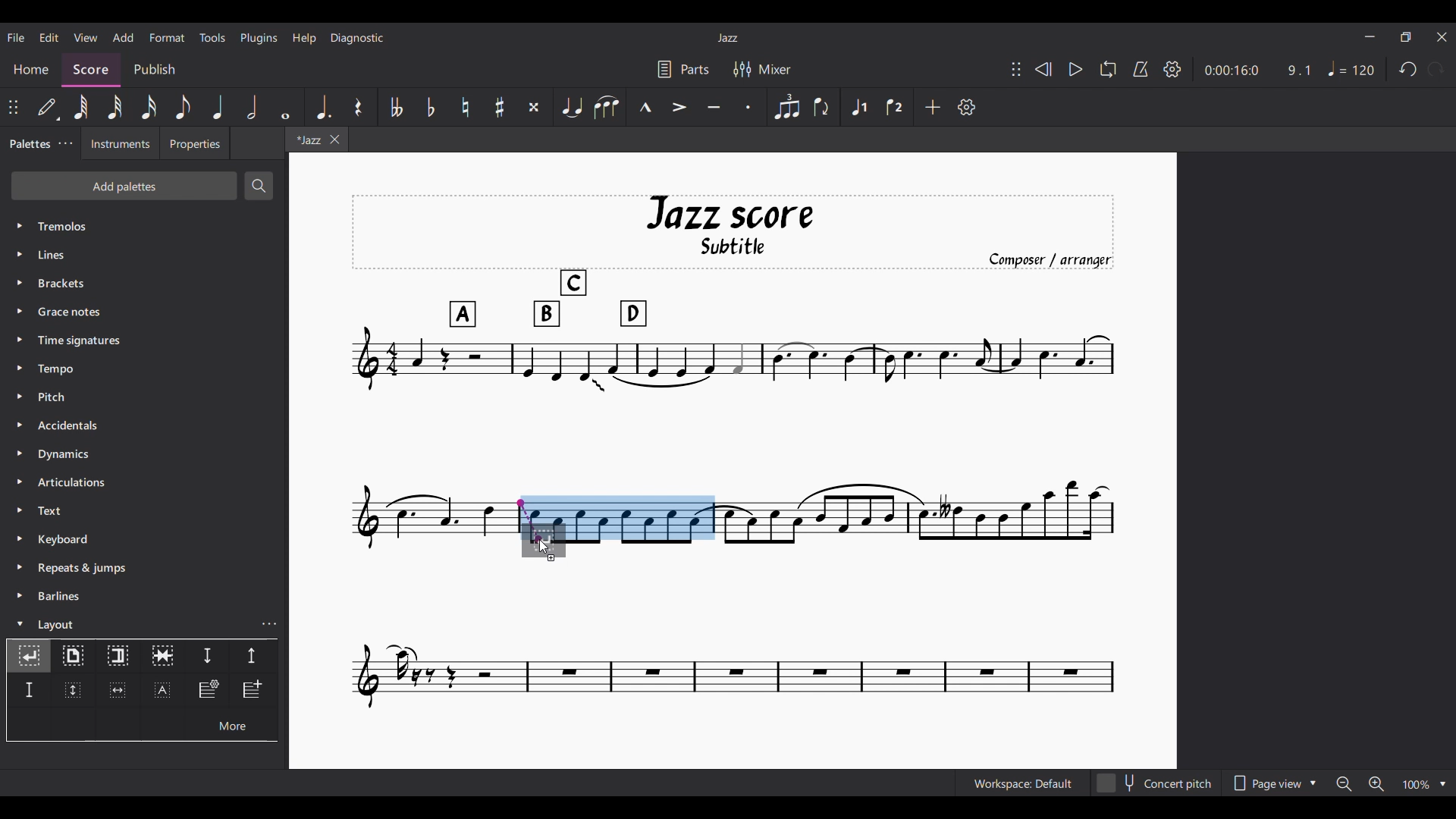 The image size is (1456, 819). Describe the element at coordinates (606, 107) in the screenshot. I see `Slur` at that location.